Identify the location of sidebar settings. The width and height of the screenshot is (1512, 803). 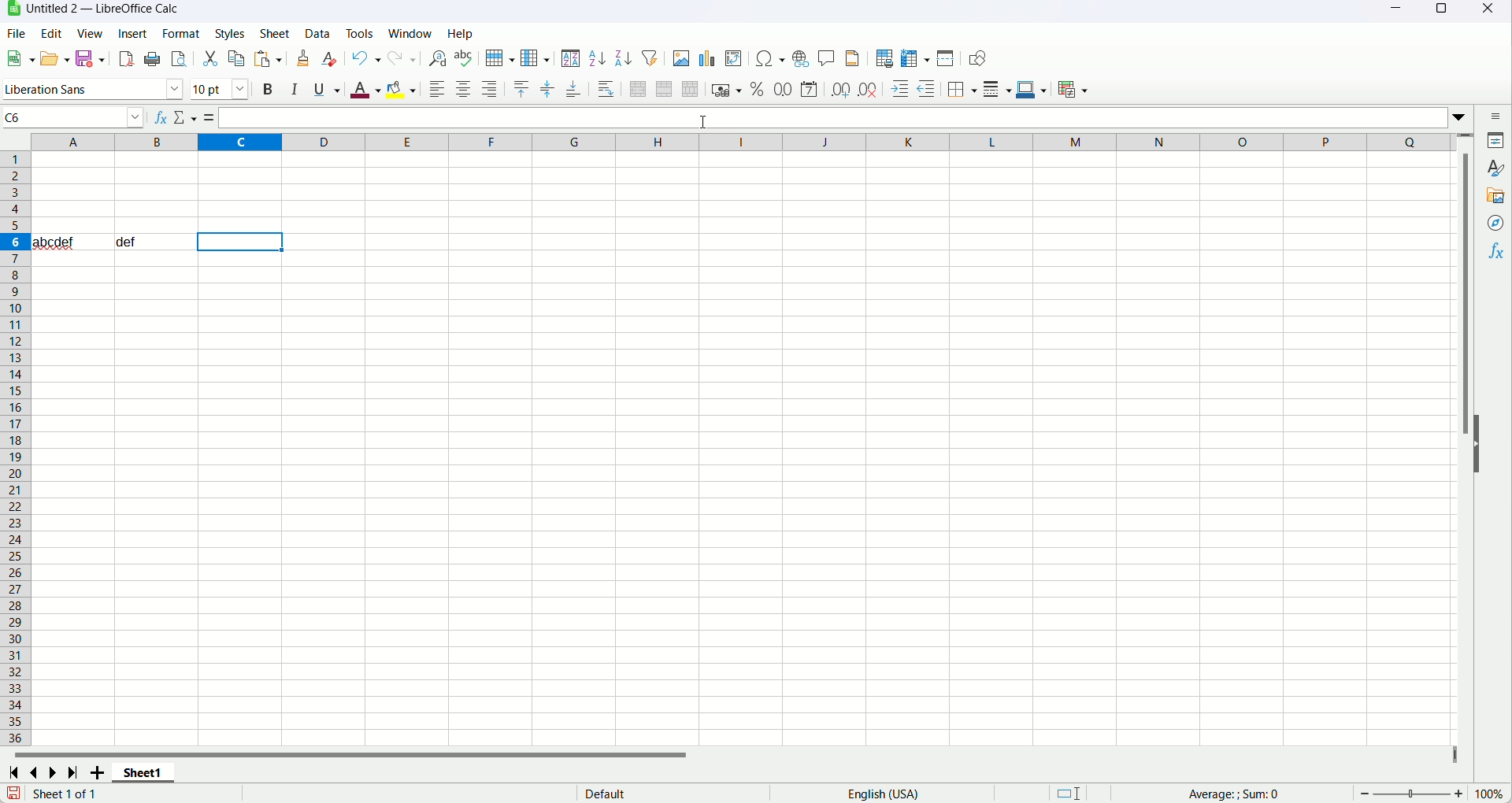
(1497, 117).